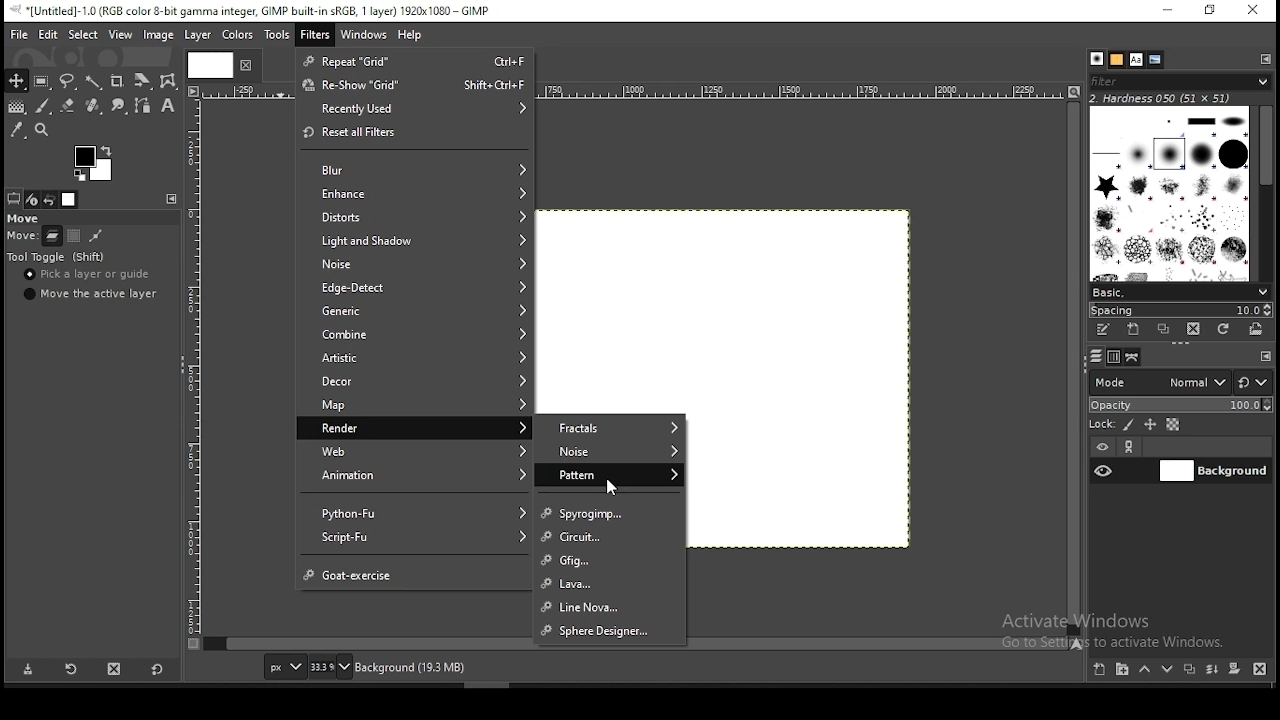 The height and width of the screenshot is (720, 1280). What do you see at coordinates (1097, 355) in the screenshot?
I see `layers` at bounding box center [1097, 355].